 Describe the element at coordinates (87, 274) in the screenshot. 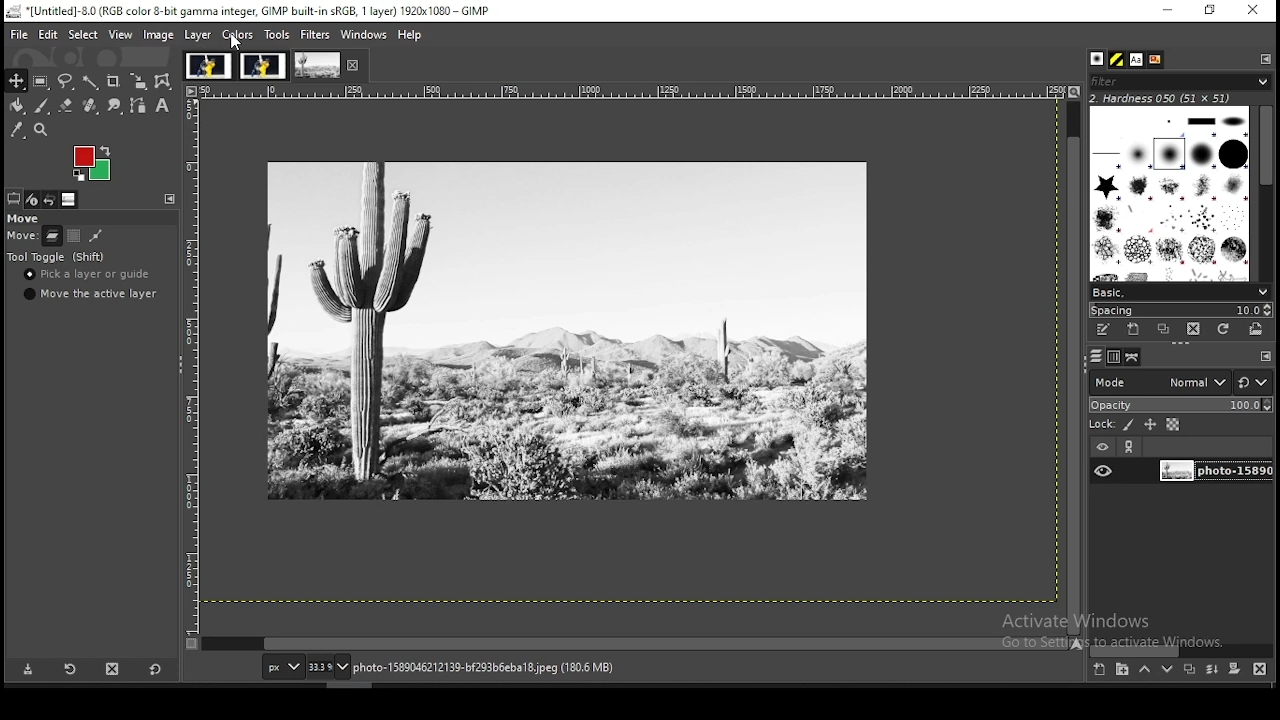

I see `pick a layer or guide` at that location.